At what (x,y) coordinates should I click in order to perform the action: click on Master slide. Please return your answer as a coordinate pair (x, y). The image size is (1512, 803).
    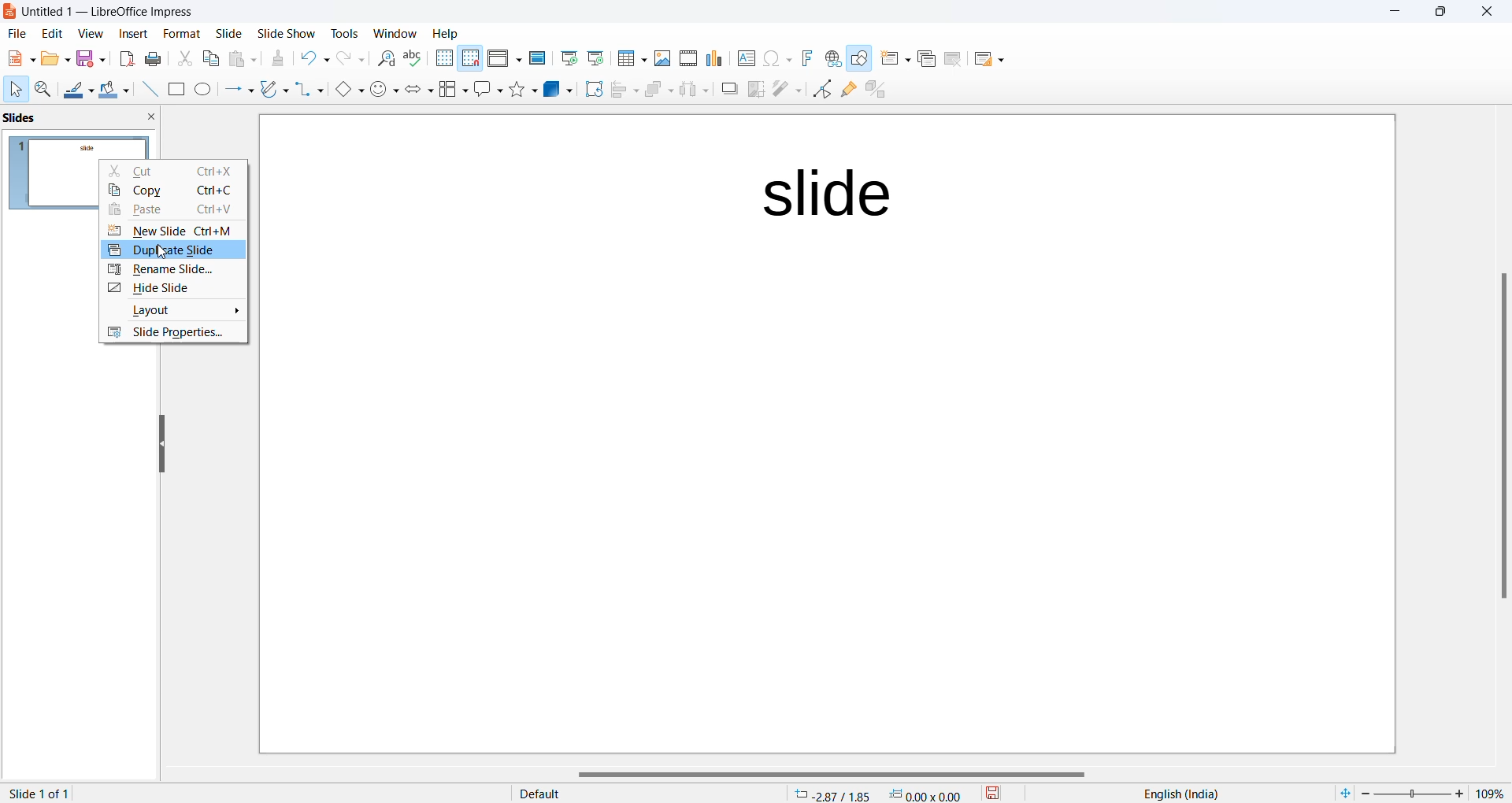
    Looking at the image, I should click on (537, 58).